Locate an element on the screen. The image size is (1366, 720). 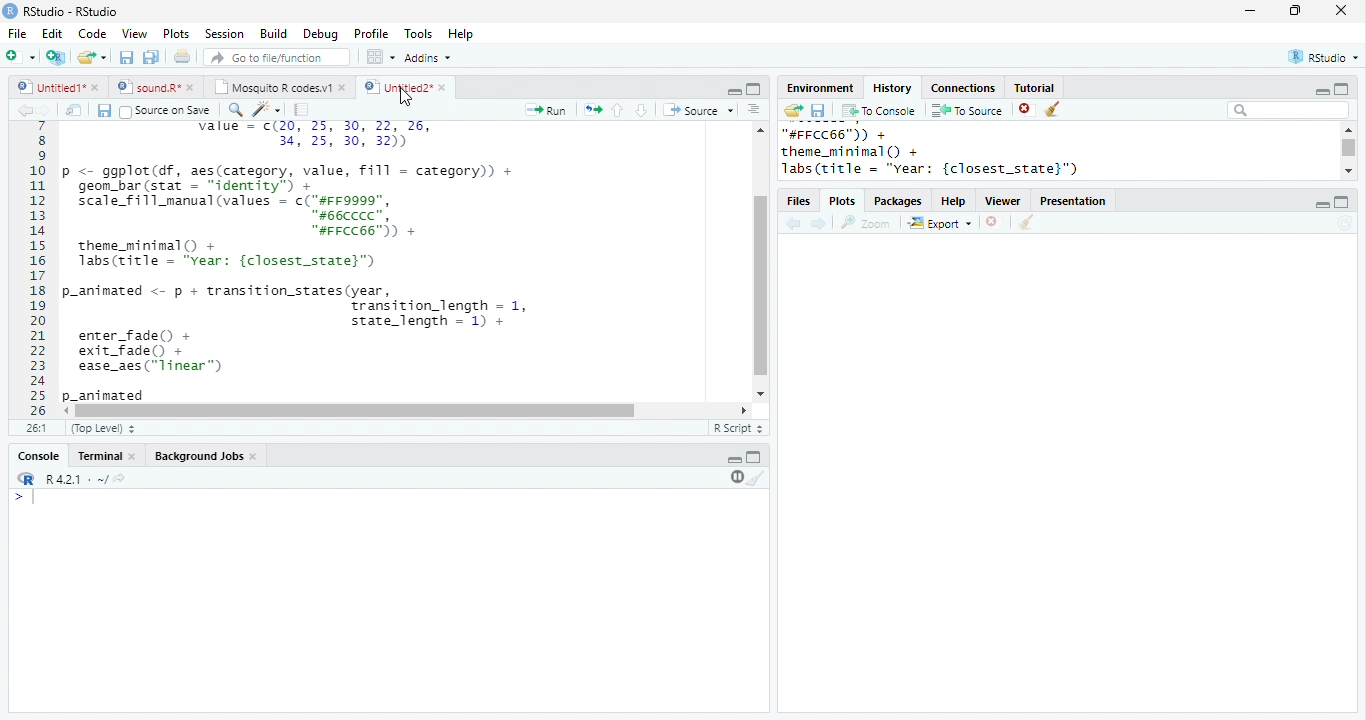
Background Jobs is located at coordinates (198, 456).